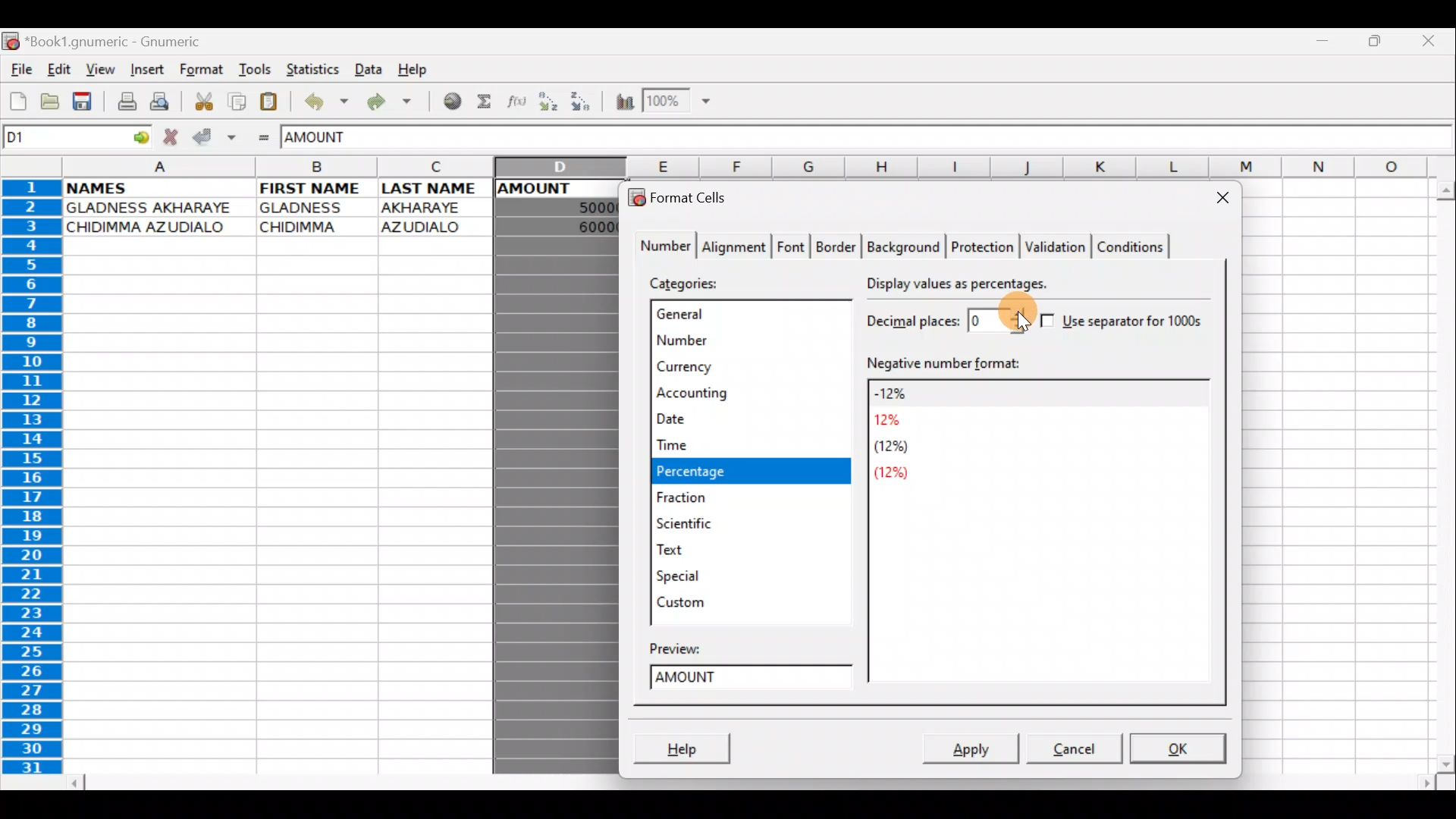  Describe the element at coordinates (736, 245) in the screenshot. I see `Alignment` at that location.